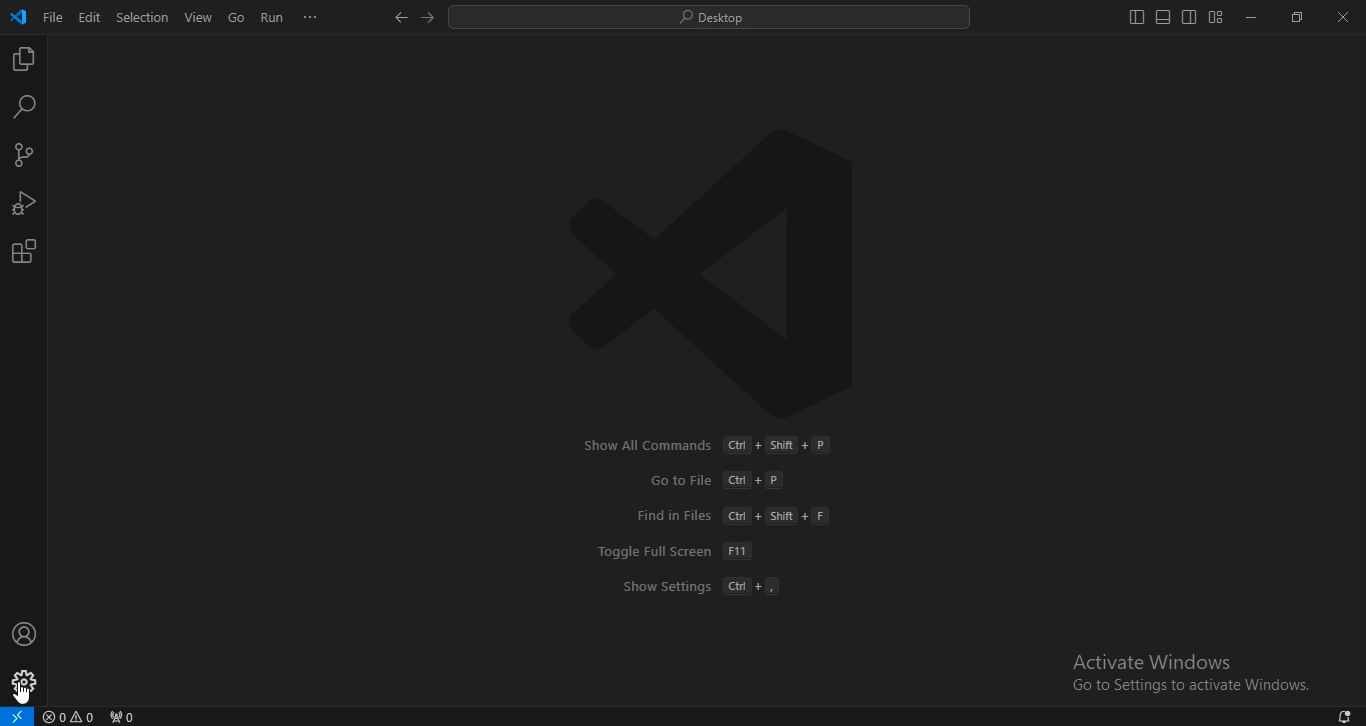  What do you see at coordinates (1344, 16) in the screenshot?
I see `close` at bounding box center [1344, 16].